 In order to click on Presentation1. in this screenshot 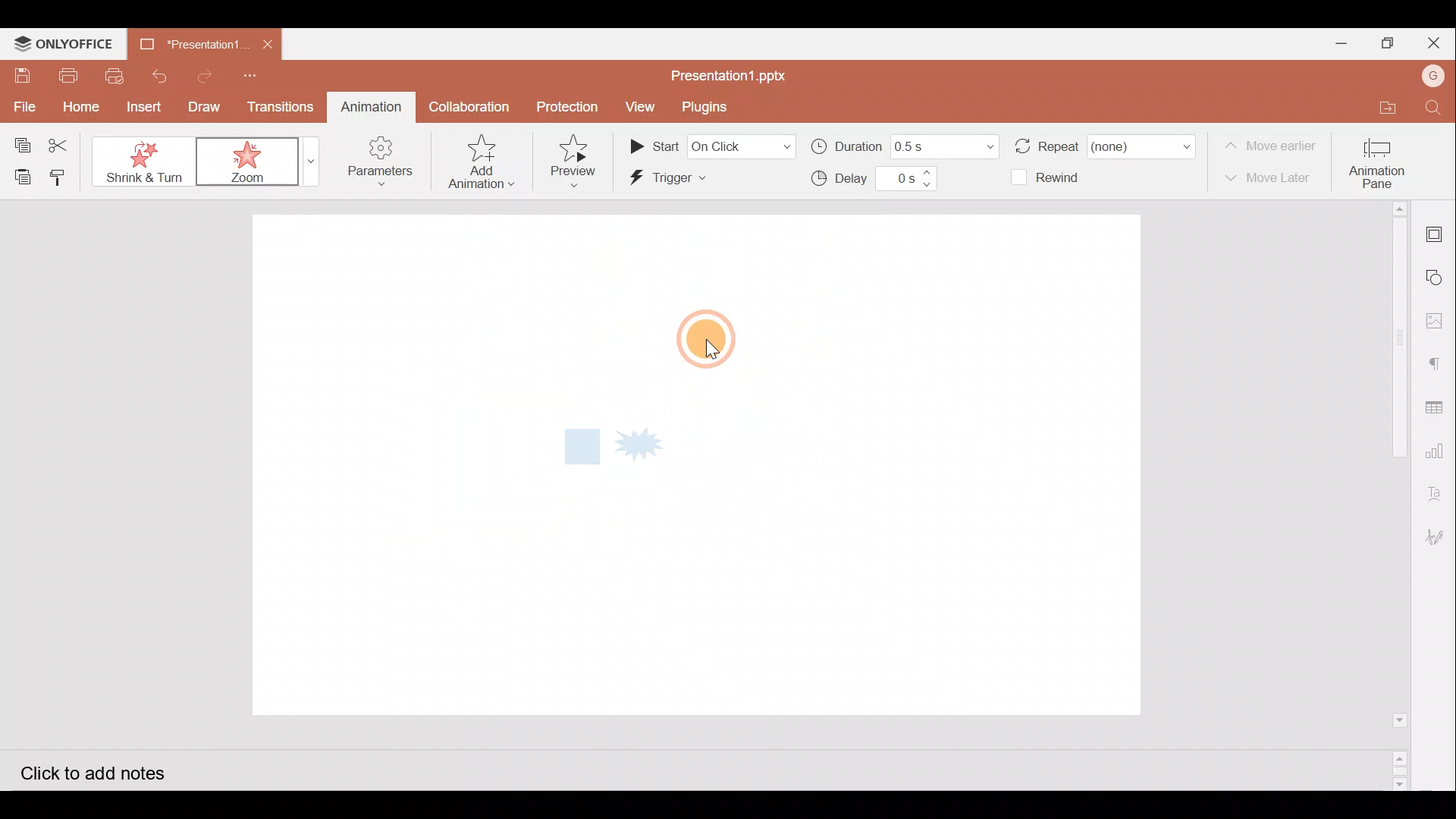, I will do `click(187, 40)`.